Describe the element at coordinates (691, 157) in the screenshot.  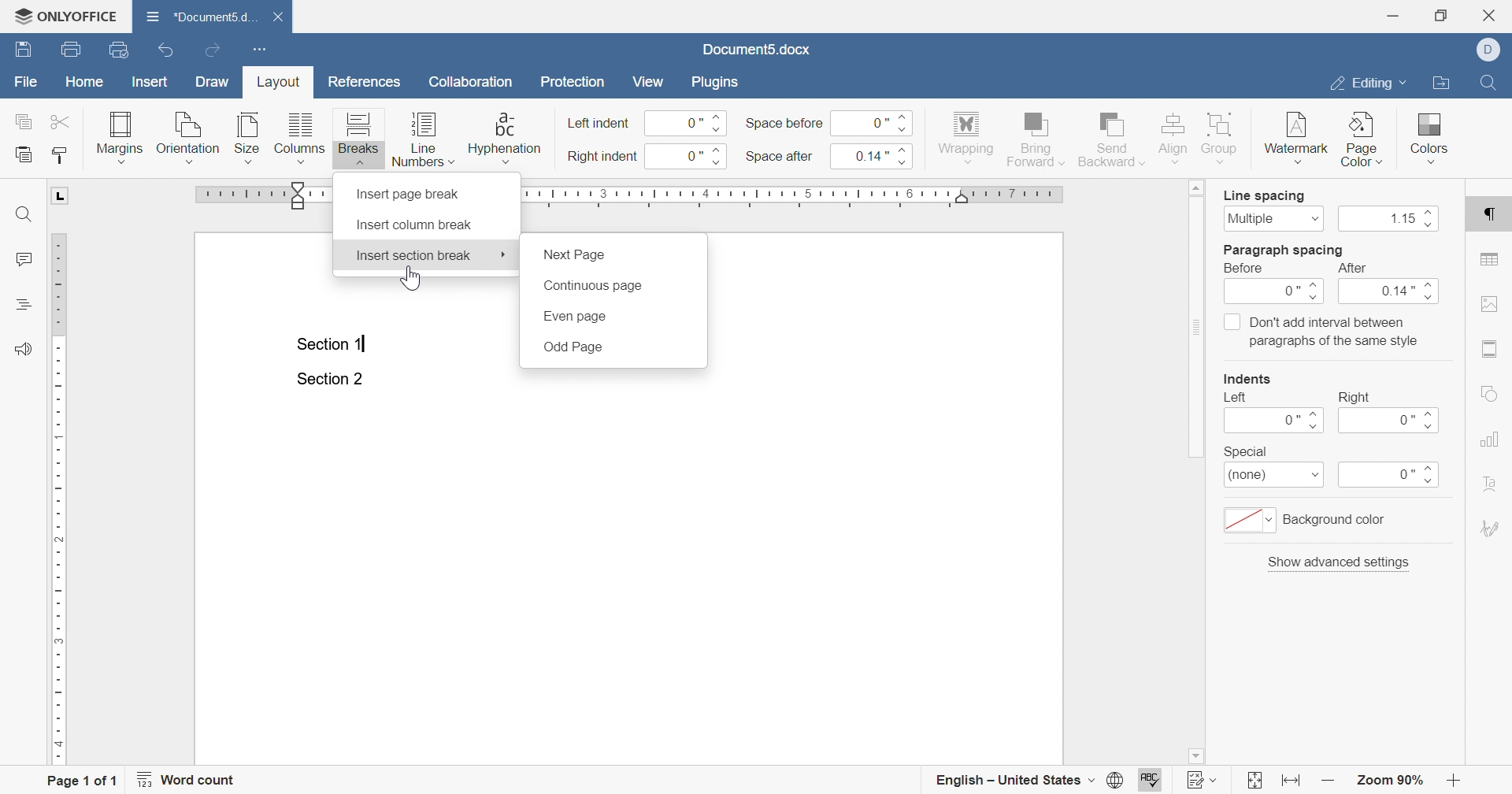
I see `0` at that location.